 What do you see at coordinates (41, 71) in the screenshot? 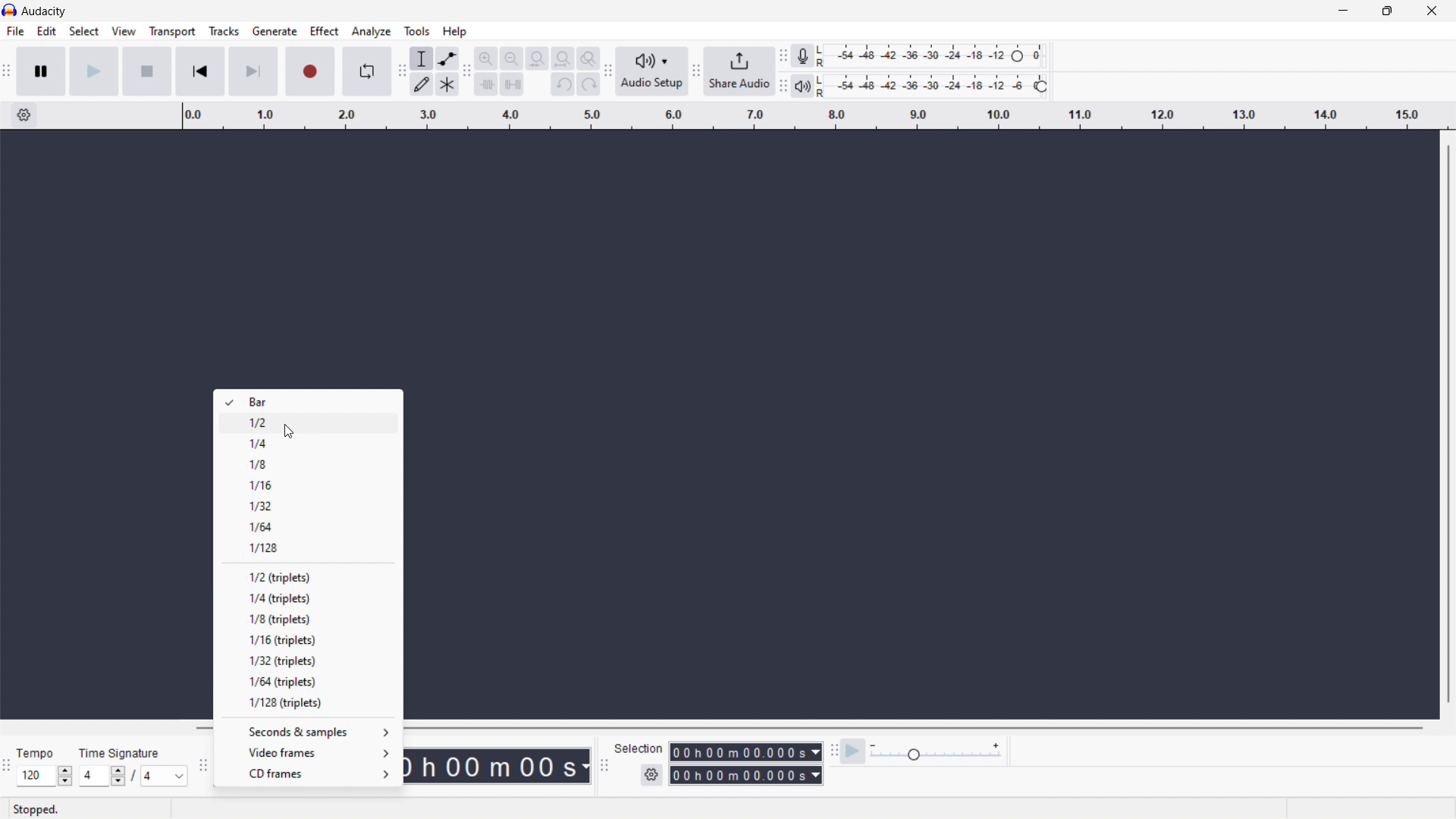
I see `pause` at bounding box center [41, 71].